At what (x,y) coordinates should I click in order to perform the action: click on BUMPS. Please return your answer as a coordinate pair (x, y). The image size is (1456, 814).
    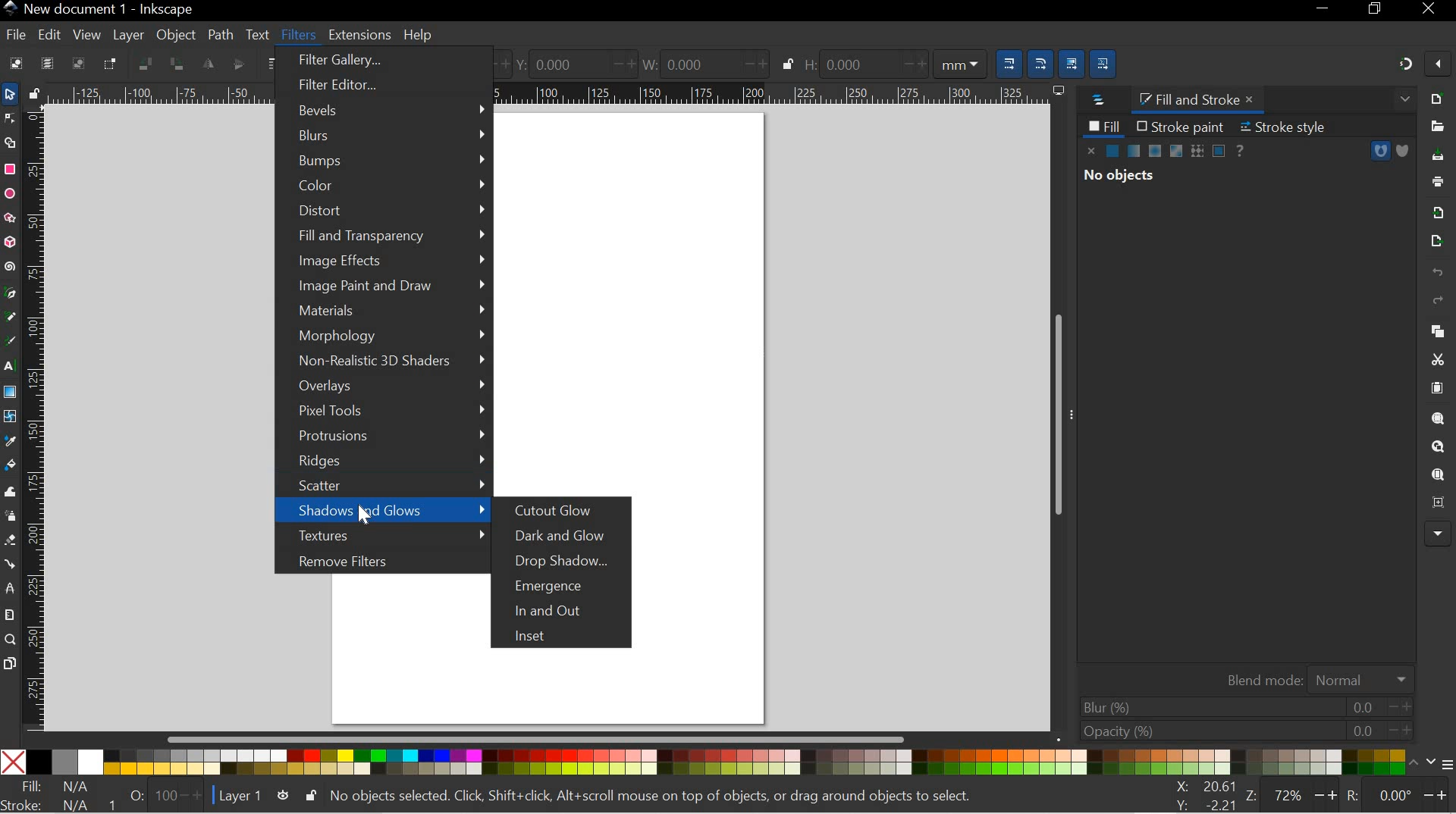
    Looking at the image, I should click on (385, 161).